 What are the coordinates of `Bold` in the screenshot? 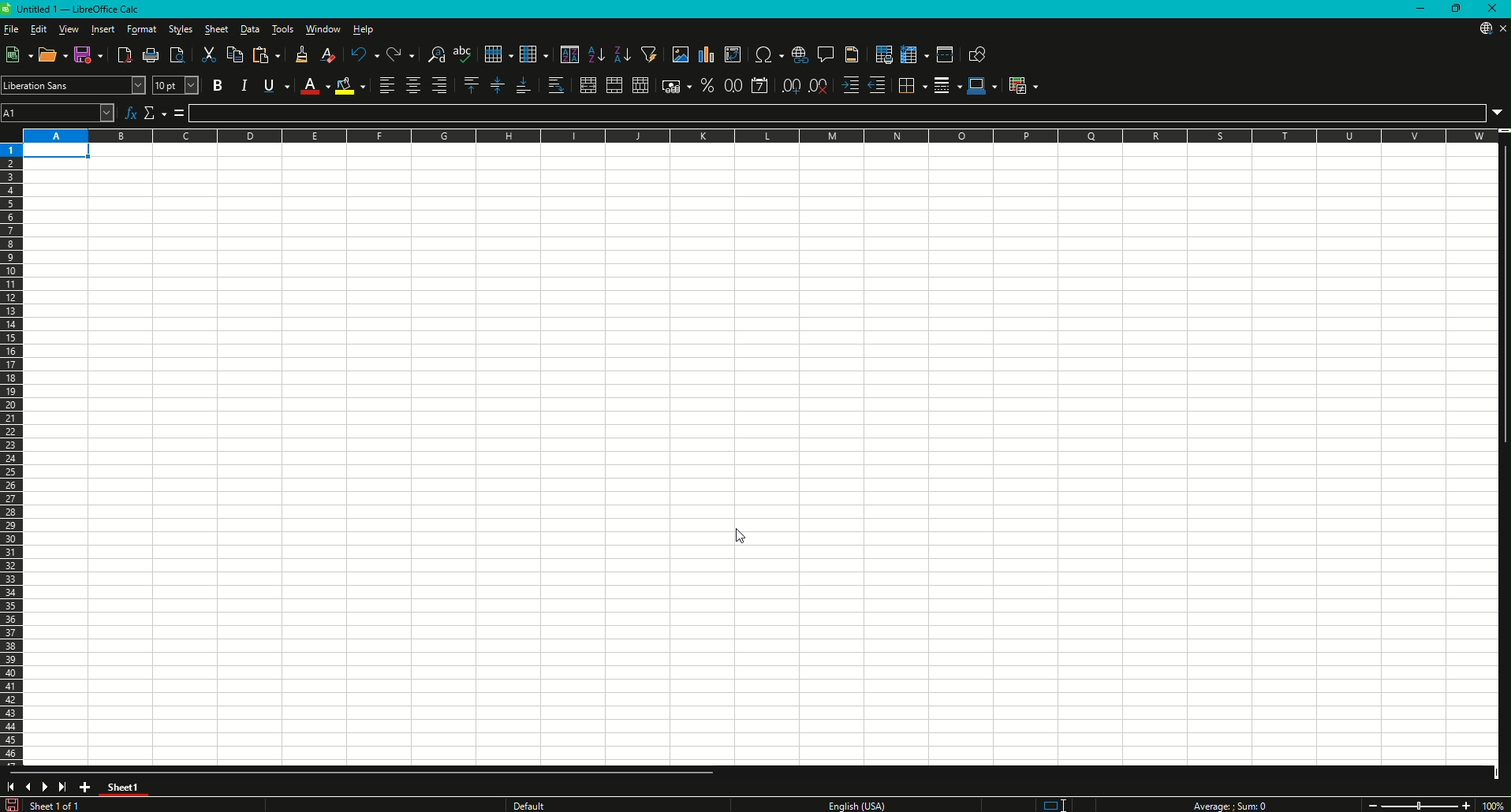 It's located at (218, 85).